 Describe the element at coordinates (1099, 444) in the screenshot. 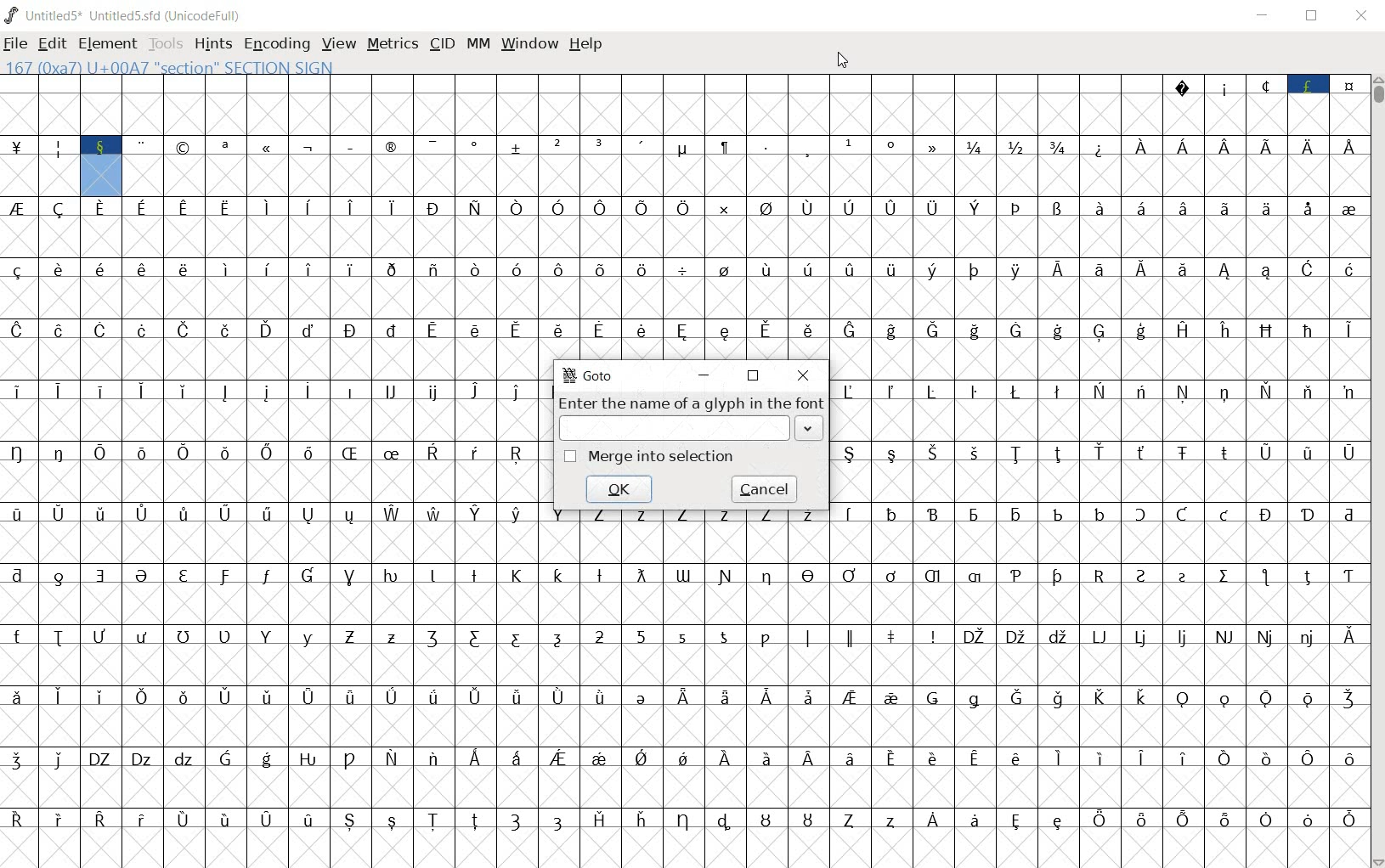

I see `` at that location.